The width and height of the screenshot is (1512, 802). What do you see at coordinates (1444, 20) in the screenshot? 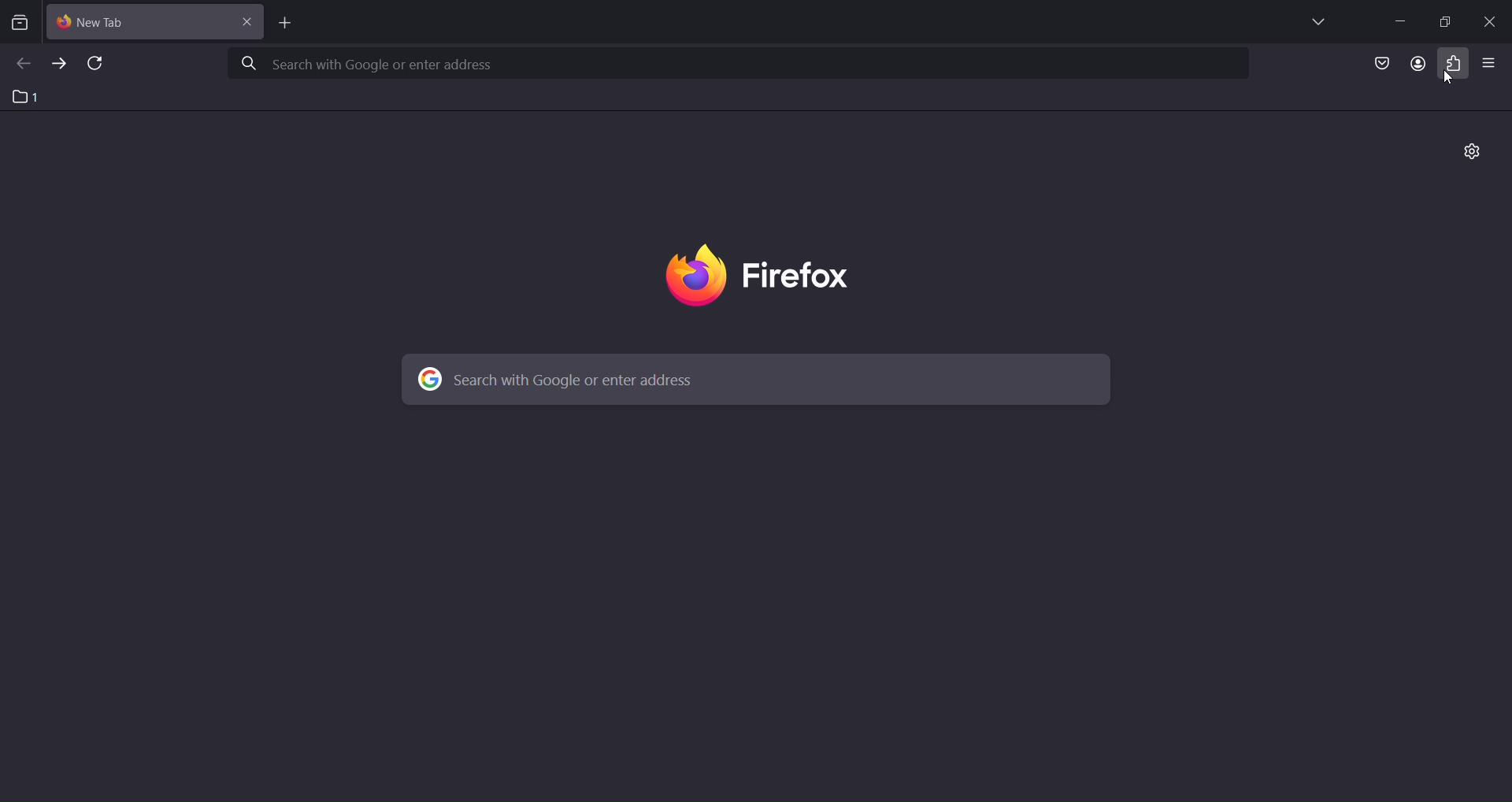
I see `restore windowss` at bounding box center [1444, 20].